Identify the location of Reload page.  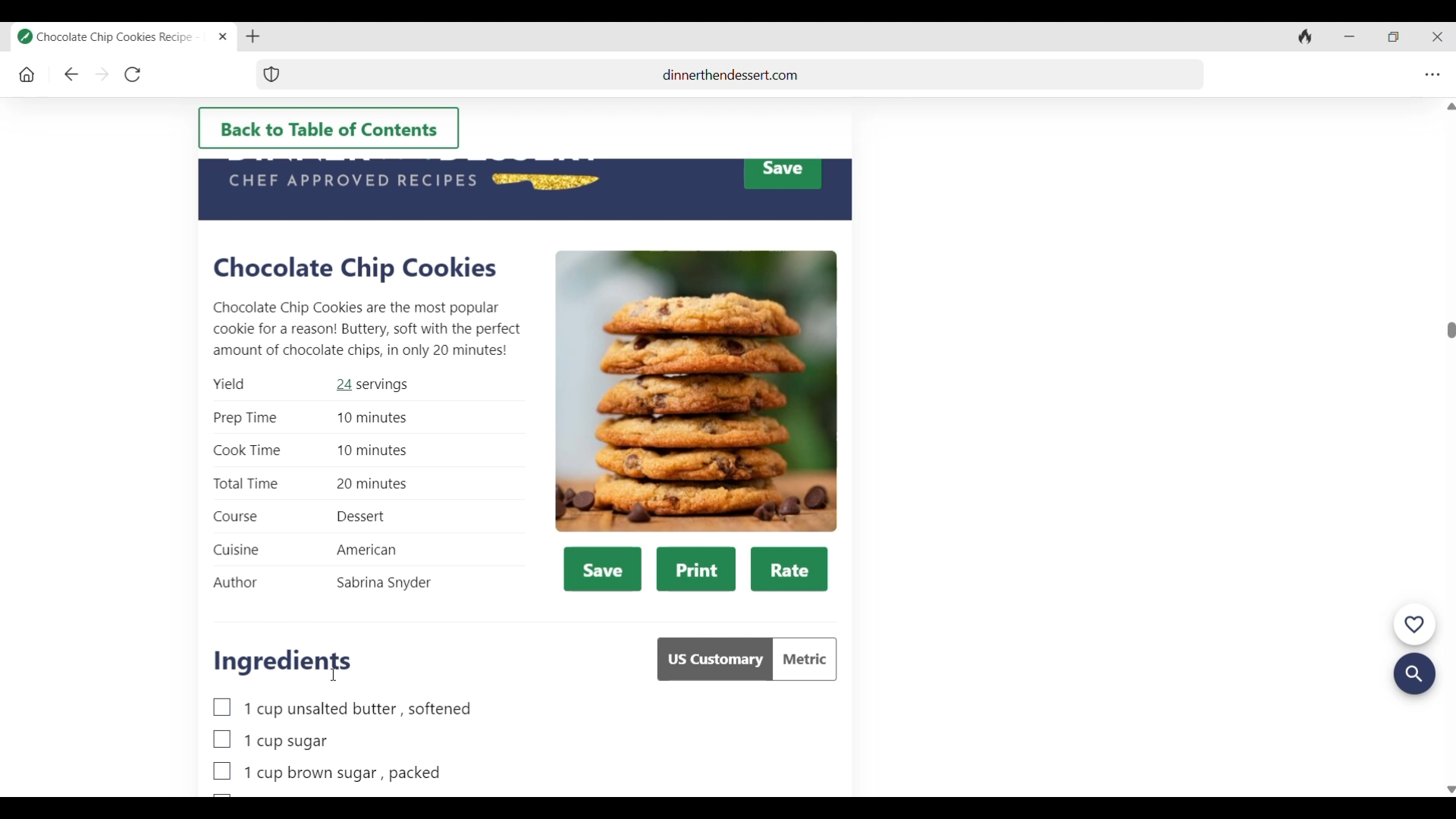
(131, 75).